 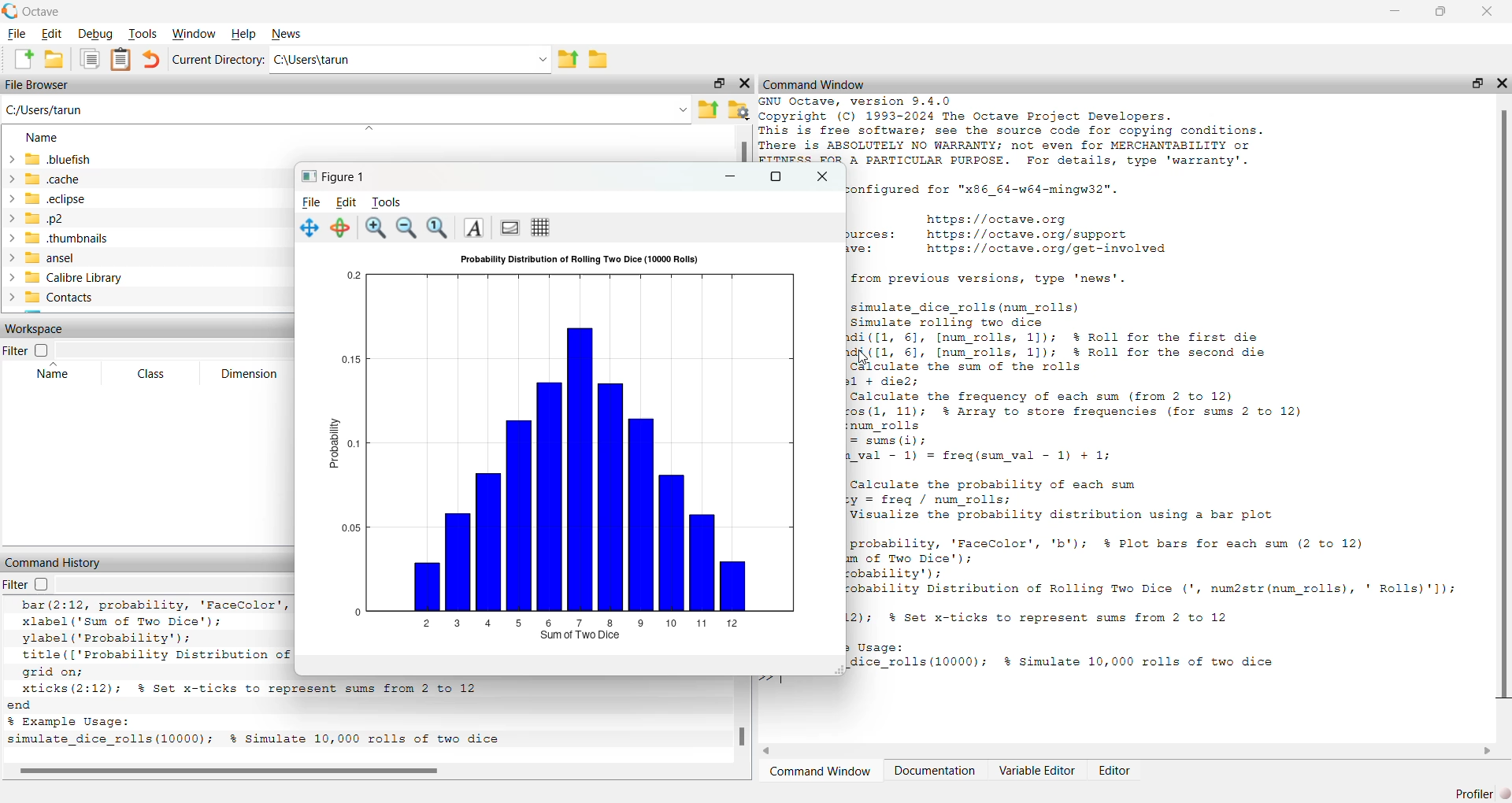 What do you see at coordinates (540, 59) in the screenshot?
I see `dropdown` at bounding box center [540, 59].